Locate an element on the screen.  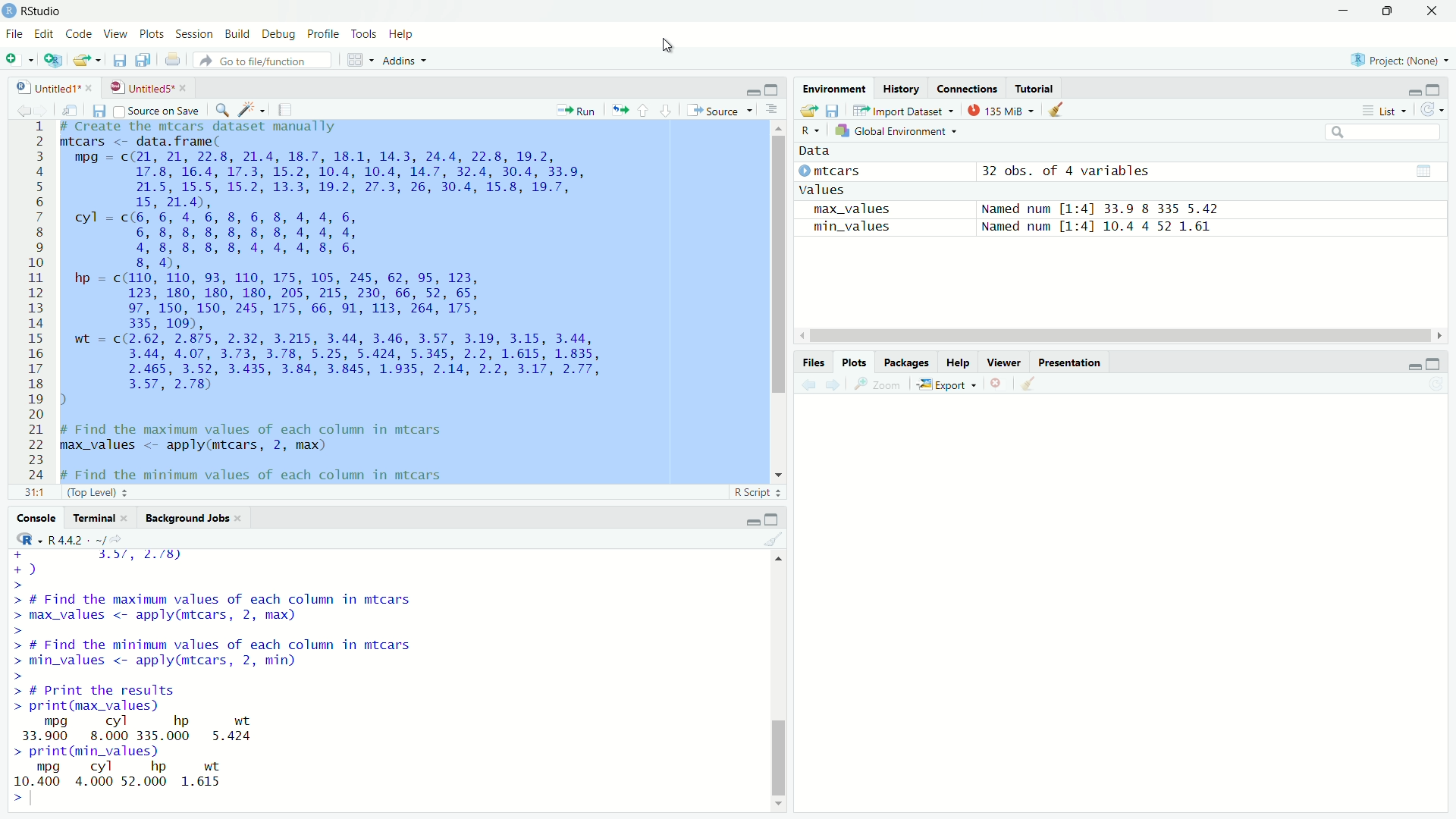
back is located at coordinates (809, 382).